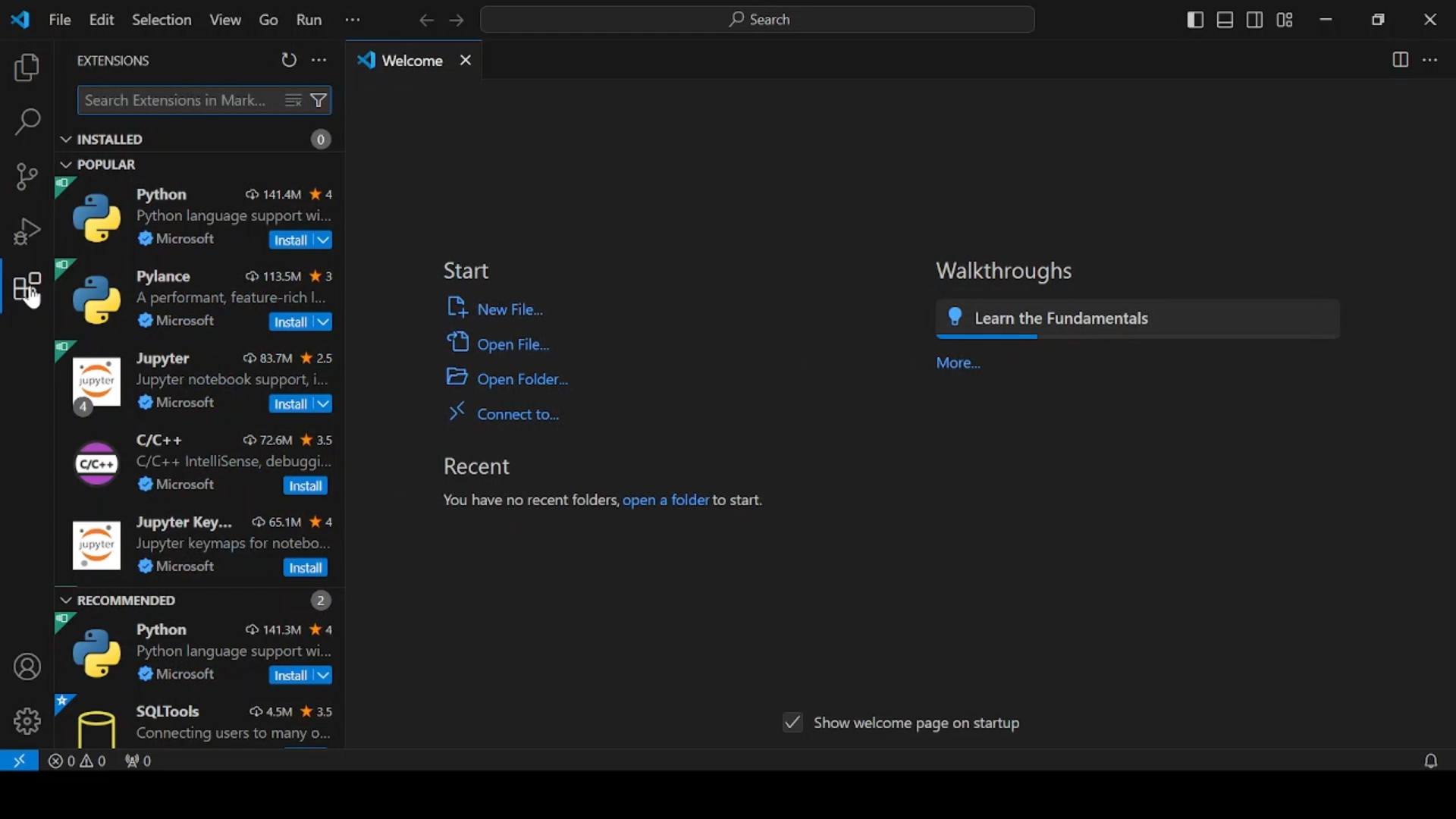  Describe the element at coordinates (492, 467) in the screenshot. I see `recent` at that location.